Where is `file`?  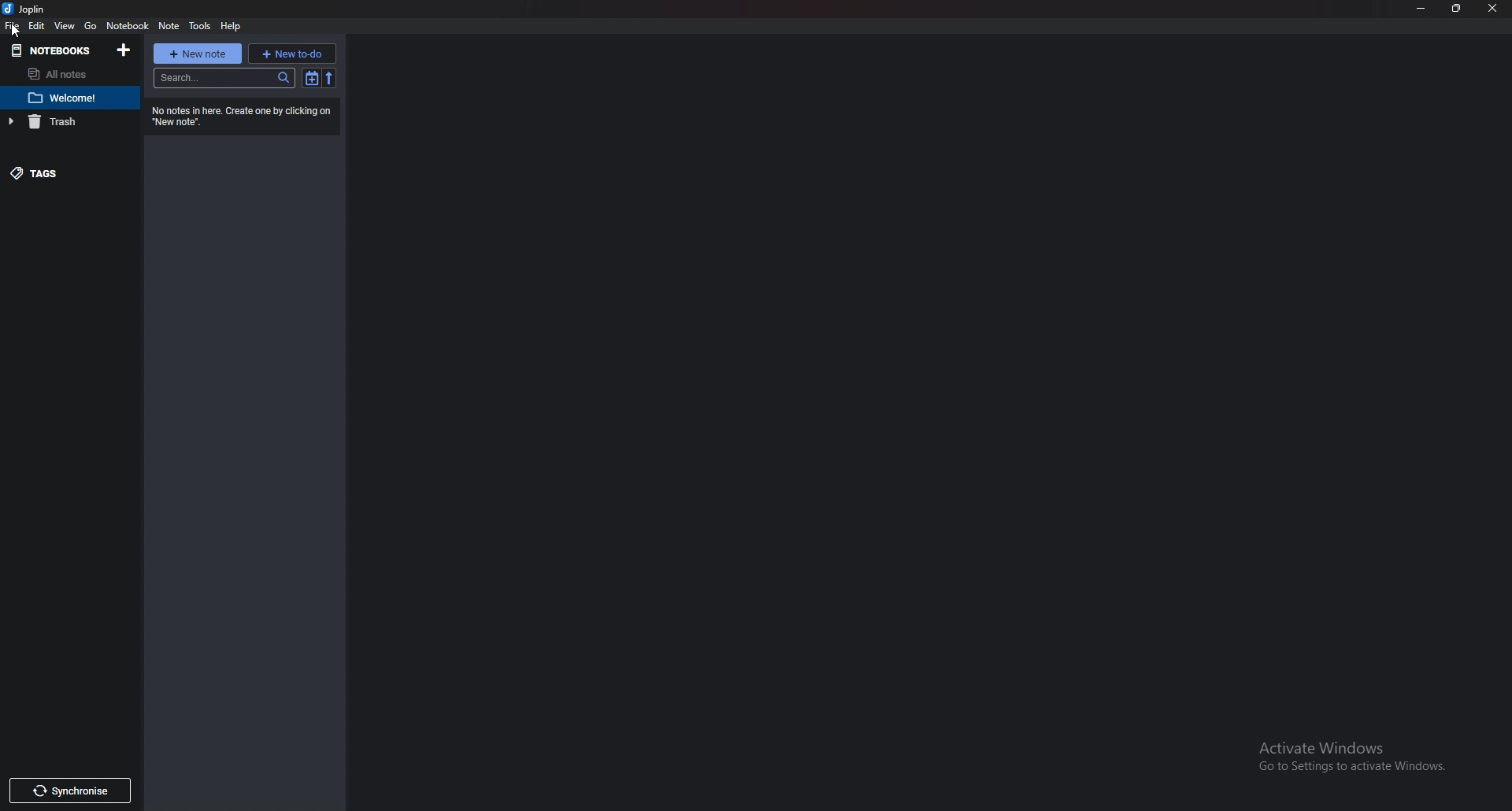
file is located at coordinates (13, 26).